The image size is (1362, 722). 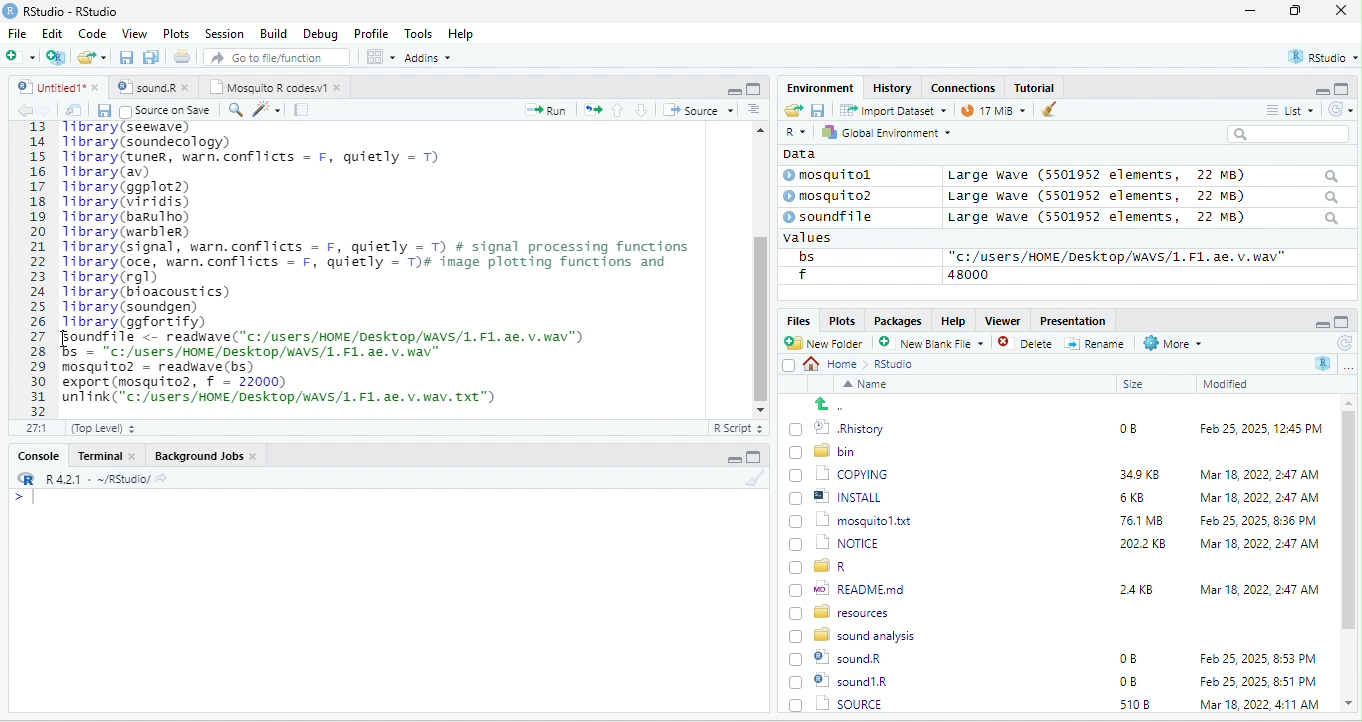 What do you see at coordinates (1130, 680) in the screenshot?
I see `5108` at bounding box center [1130, 680].